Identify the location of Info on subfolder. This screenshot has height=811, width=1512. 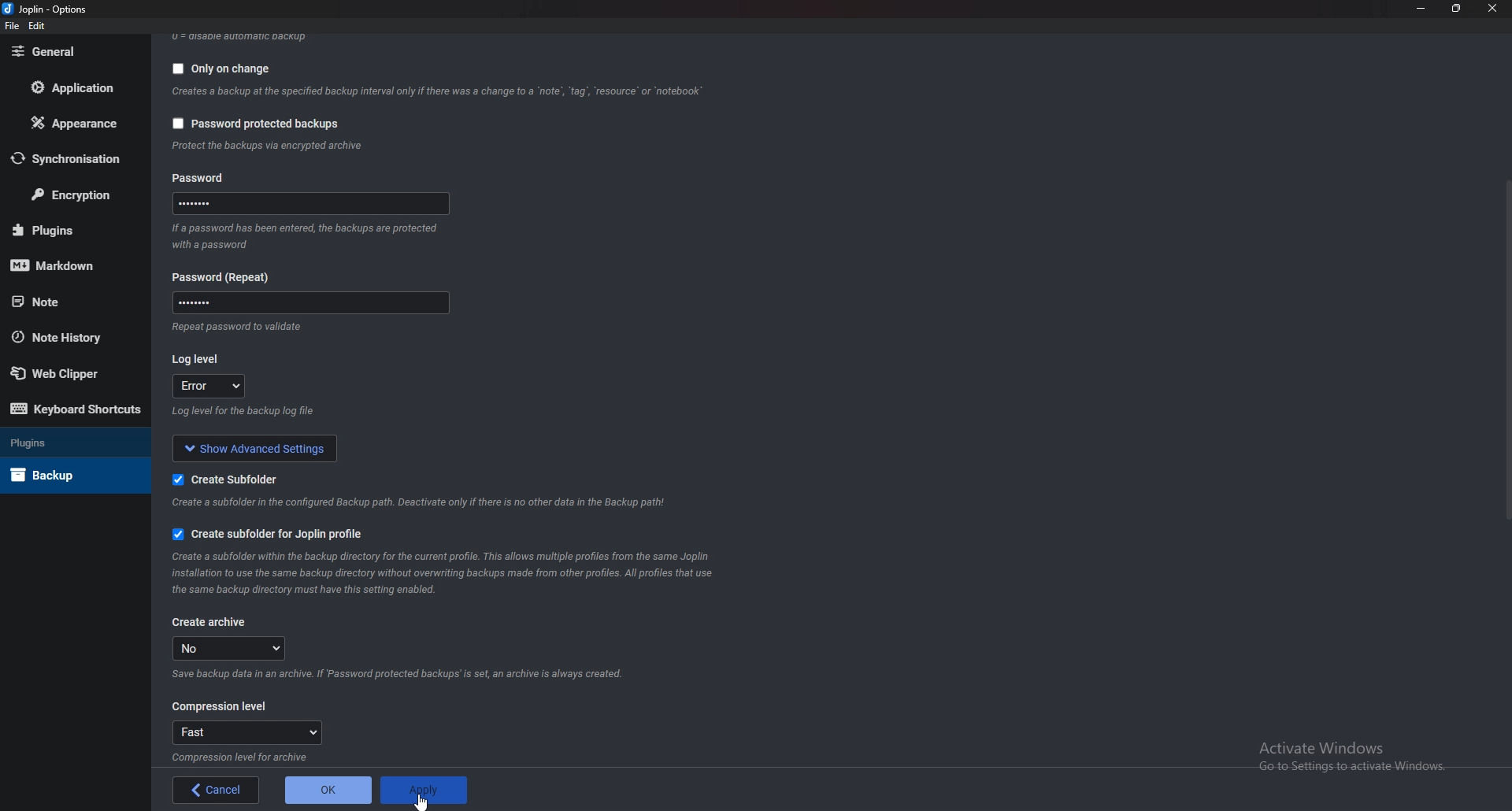
(418, 504).